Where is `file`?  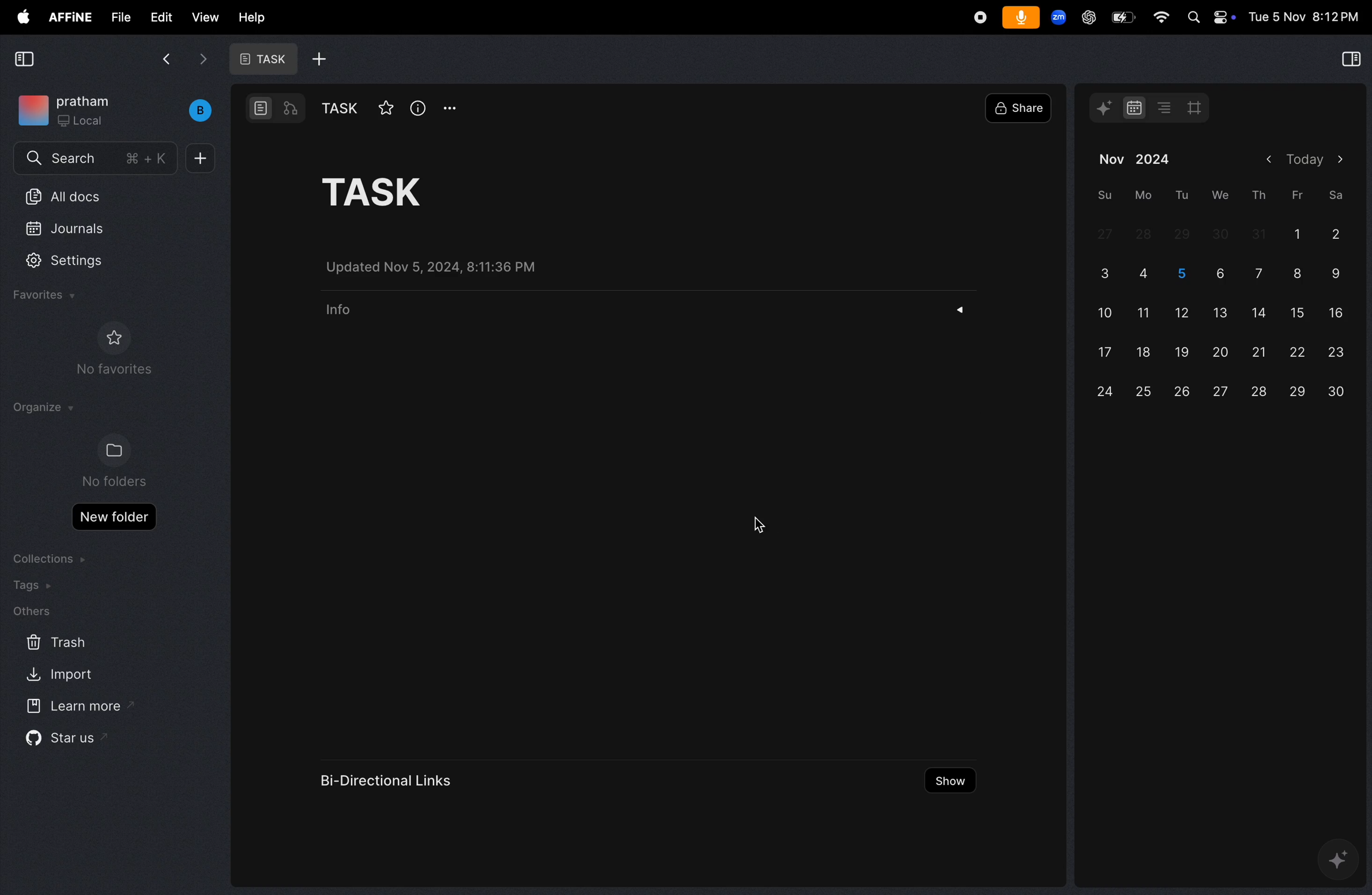 file is located at coordinates (116, 16).